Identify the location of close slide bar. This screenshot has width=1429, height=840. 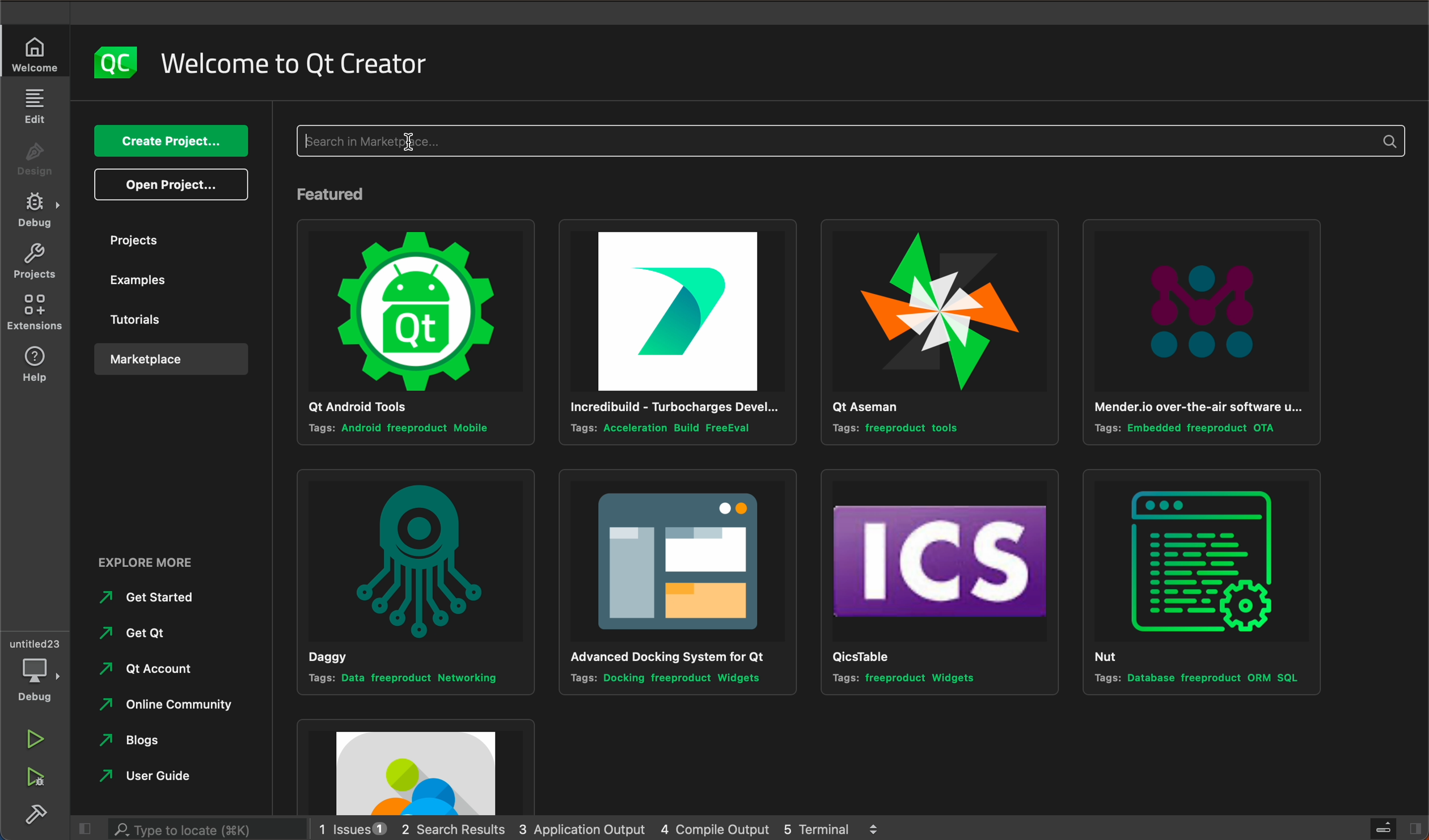
(82, 828).